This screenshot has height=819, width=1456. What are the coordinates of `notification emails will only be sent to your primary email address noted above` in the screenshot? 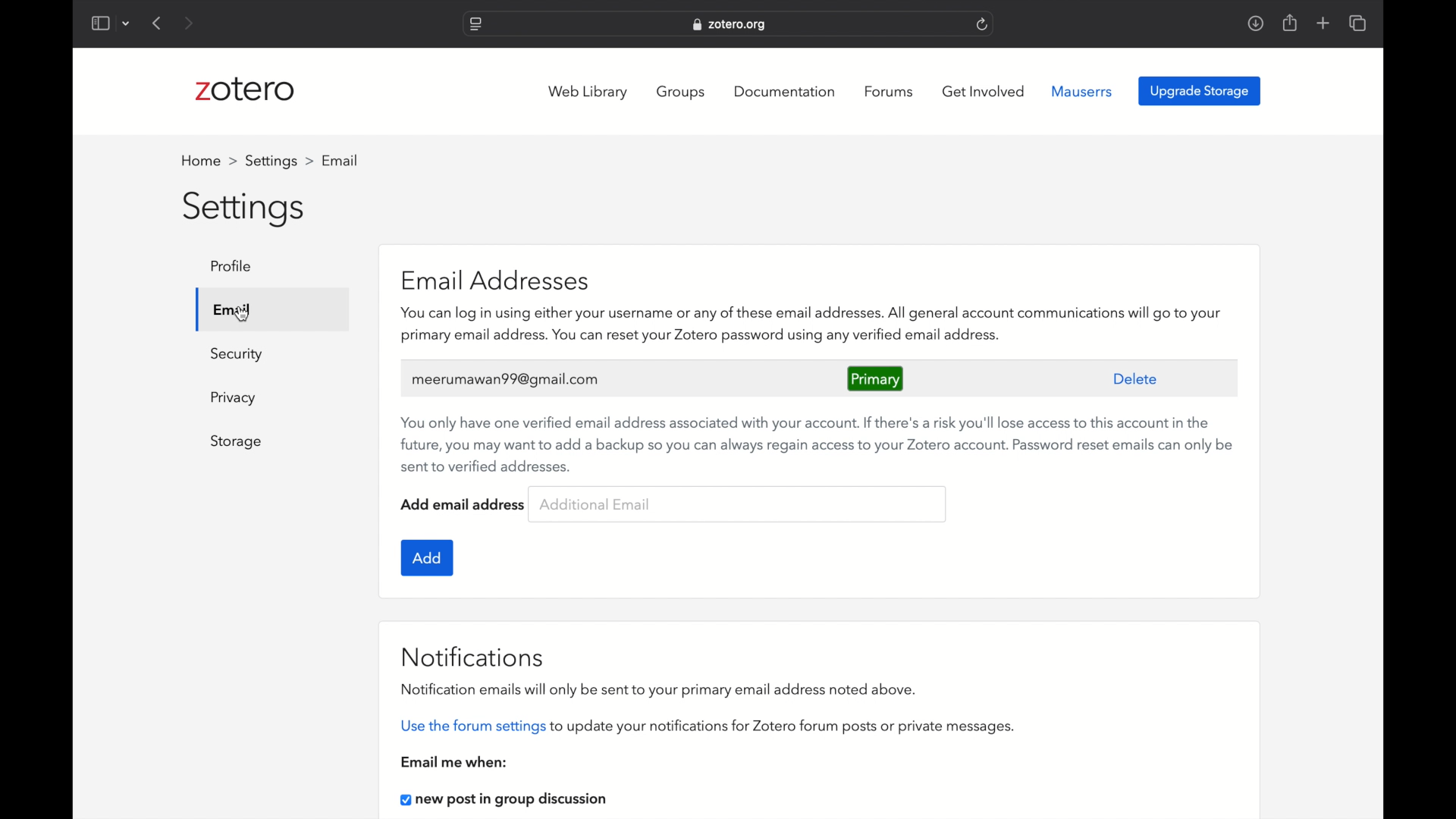 It's located at (660, 690).